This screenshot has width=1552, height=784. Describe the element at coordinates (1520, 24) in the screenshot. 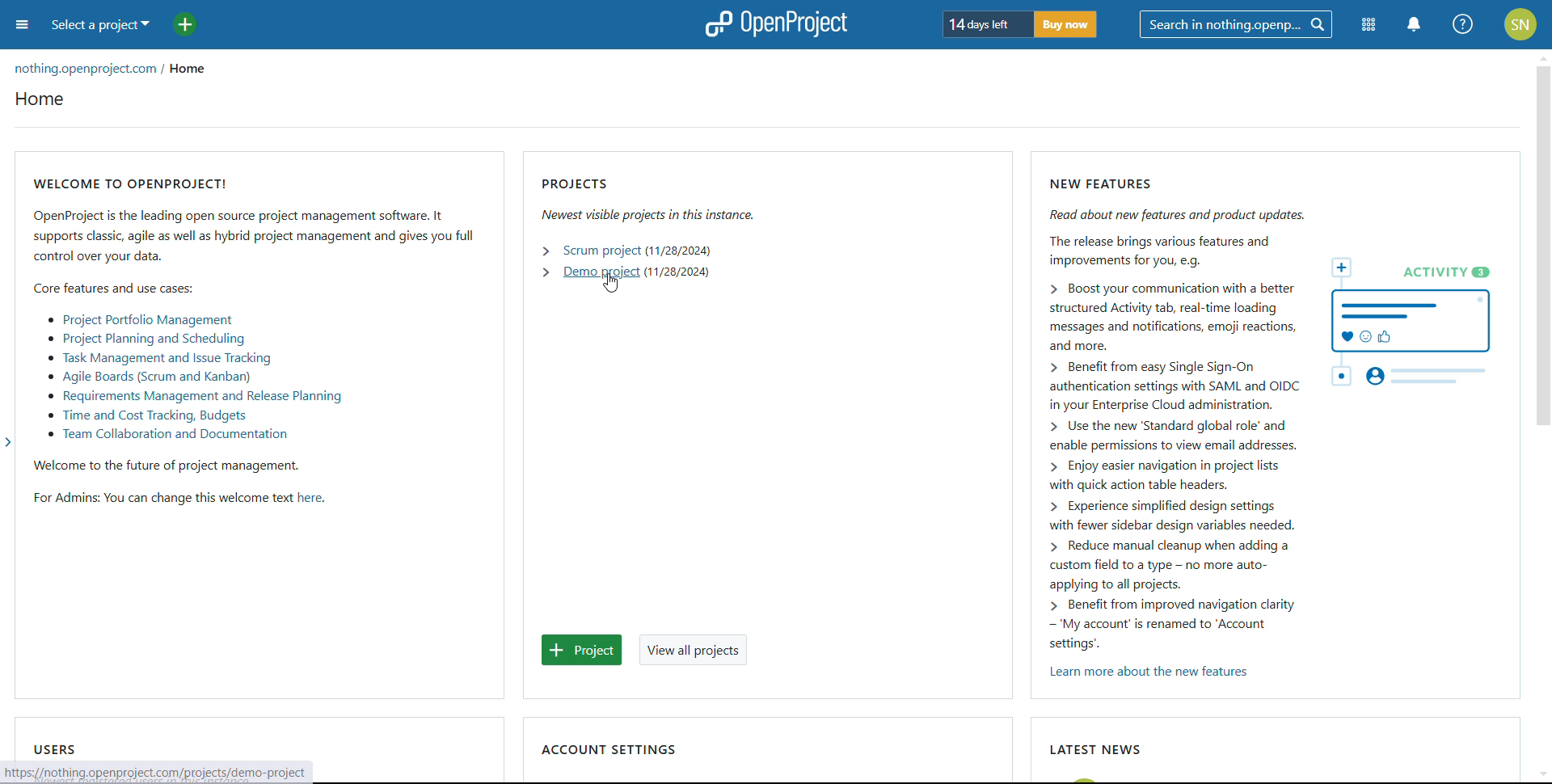

I see `account` at that location.